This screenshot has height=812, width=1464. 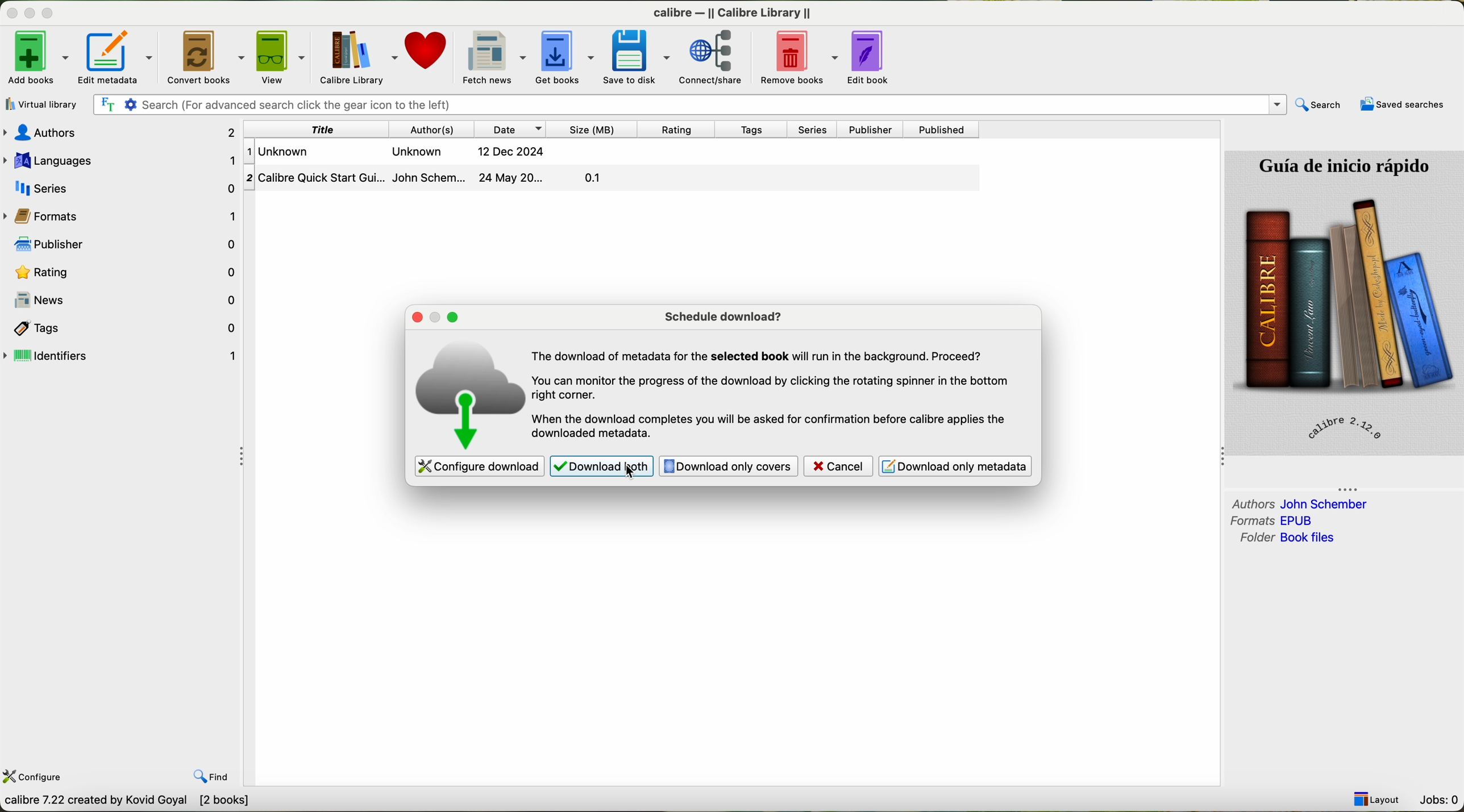 I want to click on click on download both, so click(x=601, y=466).